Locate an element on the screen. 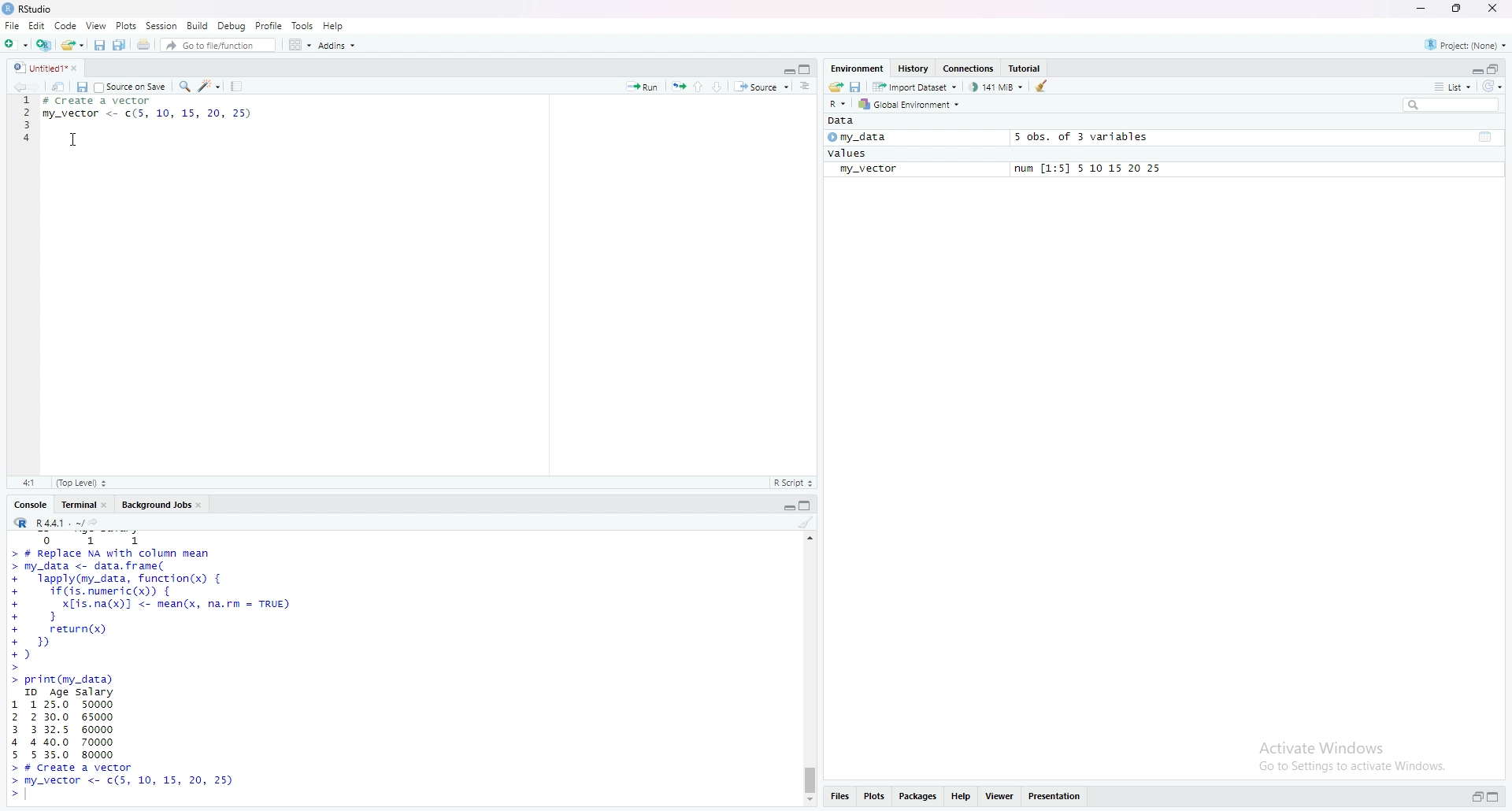  show in new window is located at coordinates (59, 87).